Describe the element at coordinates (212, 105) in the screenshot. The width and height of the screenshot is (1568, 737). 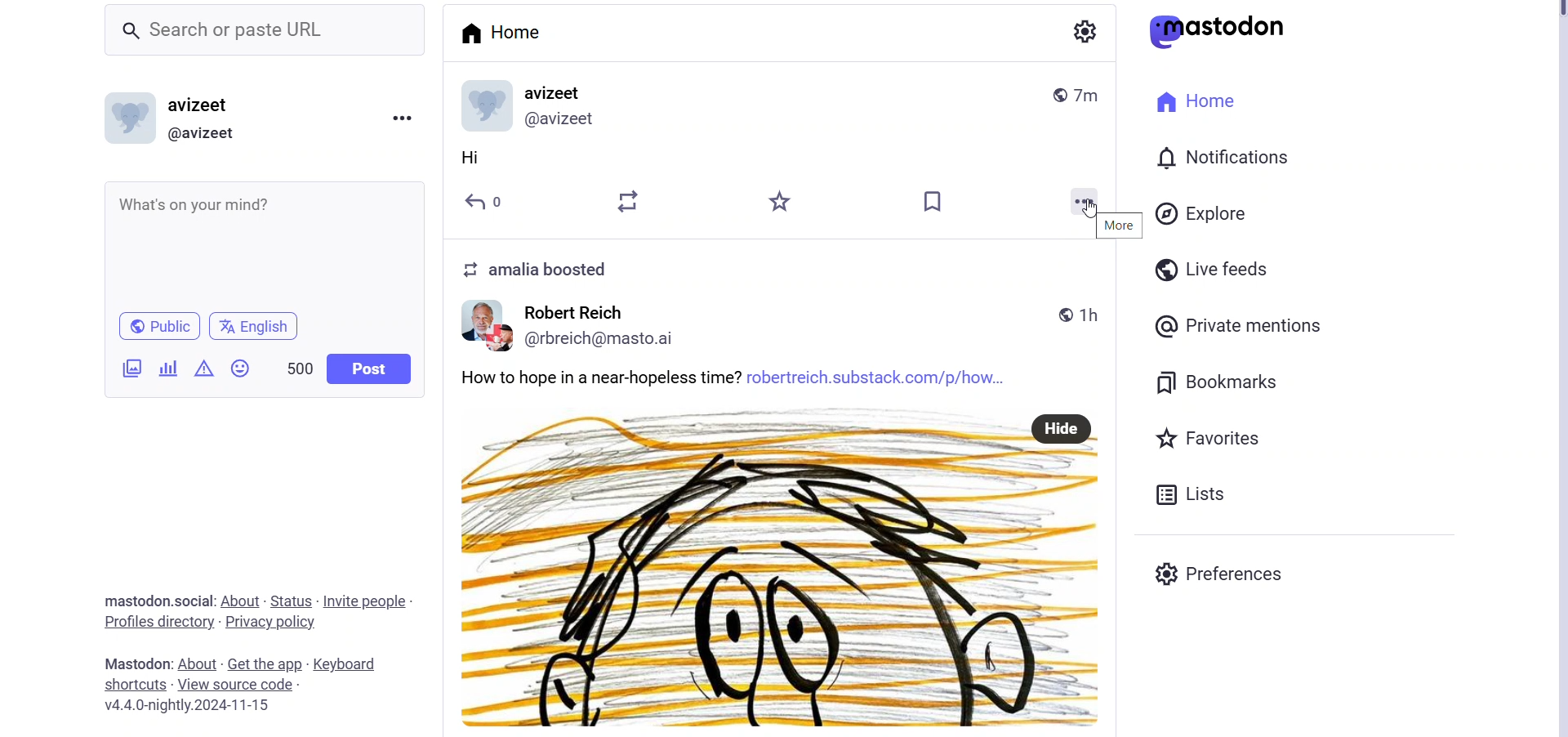
I see `User` at that location.